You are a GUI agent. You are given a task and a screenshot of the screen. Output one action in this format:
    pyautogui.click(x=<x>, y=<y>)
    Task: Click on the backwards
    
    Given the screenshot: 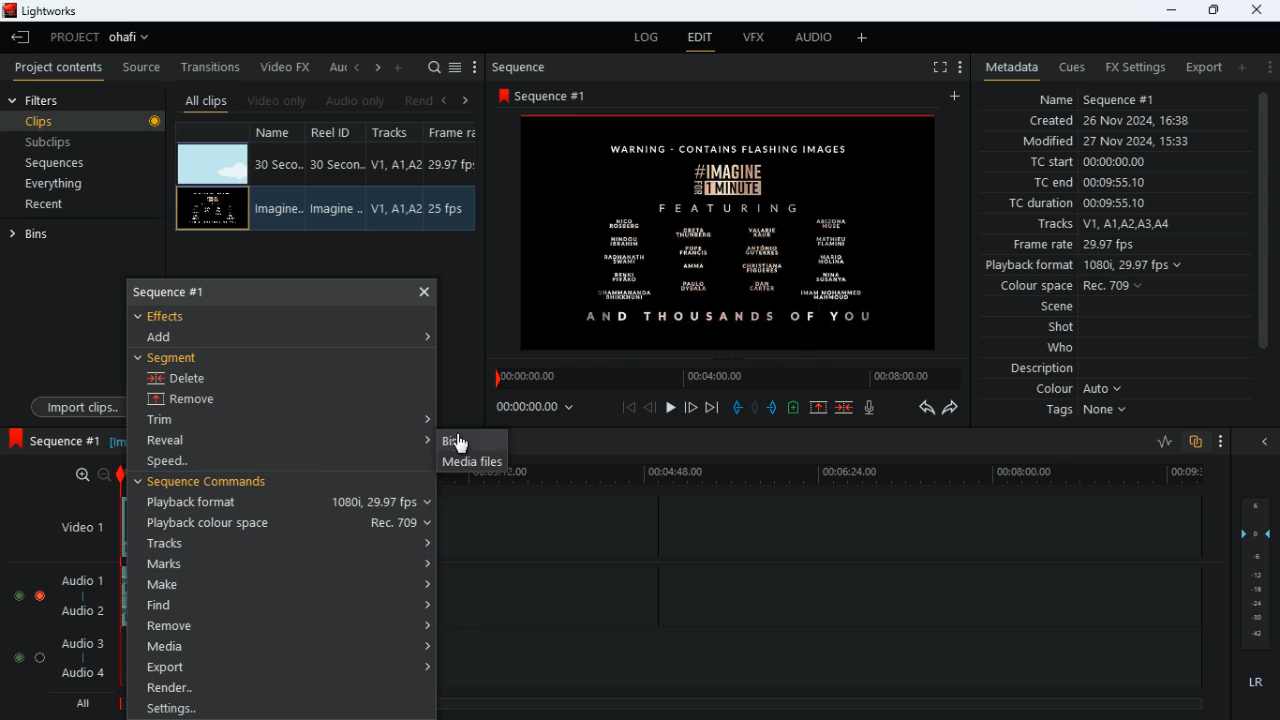 What is the action you would take?
    pyautogui.click(x=924, y=408)
    